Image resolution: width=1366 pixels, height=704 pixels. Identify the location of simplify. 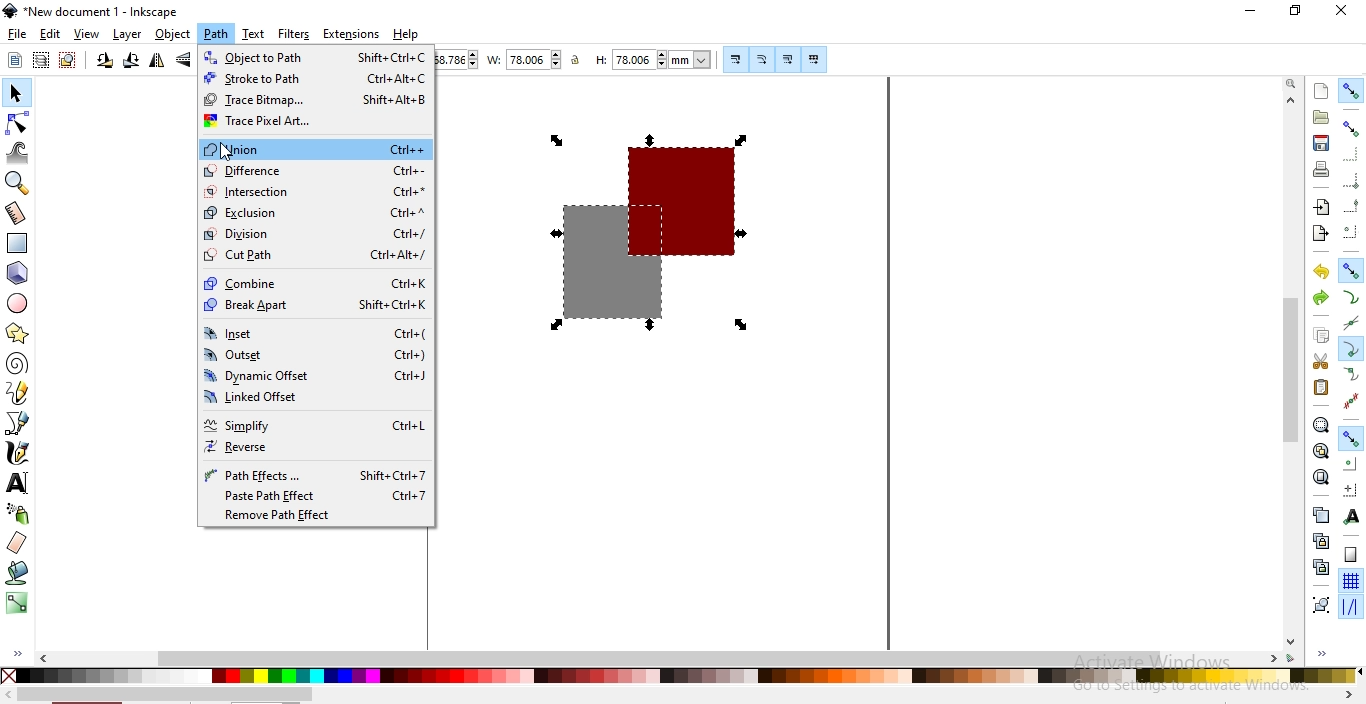
(316, 423).